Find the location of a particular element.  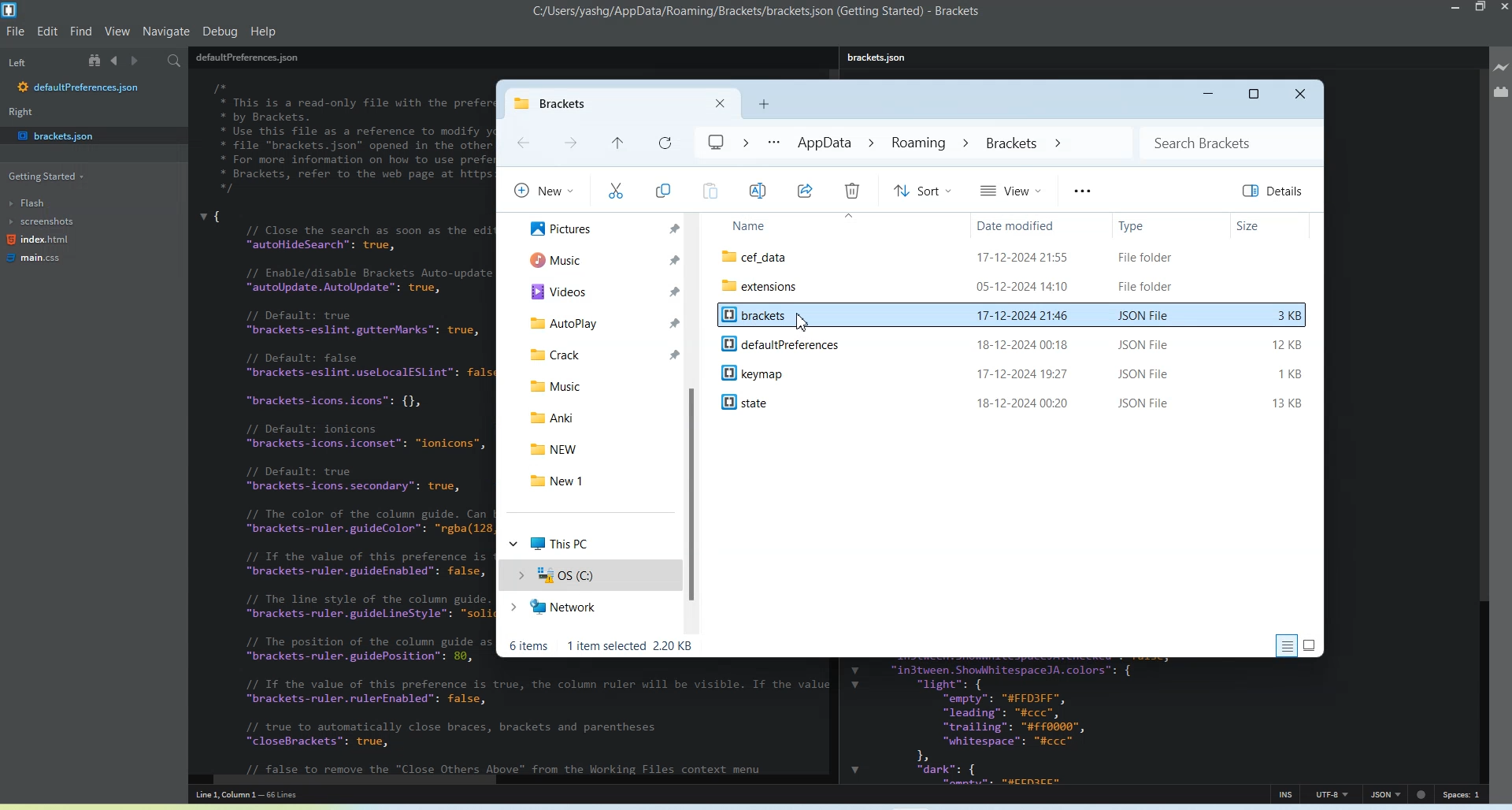

File is located at coordinates (1014, 256).